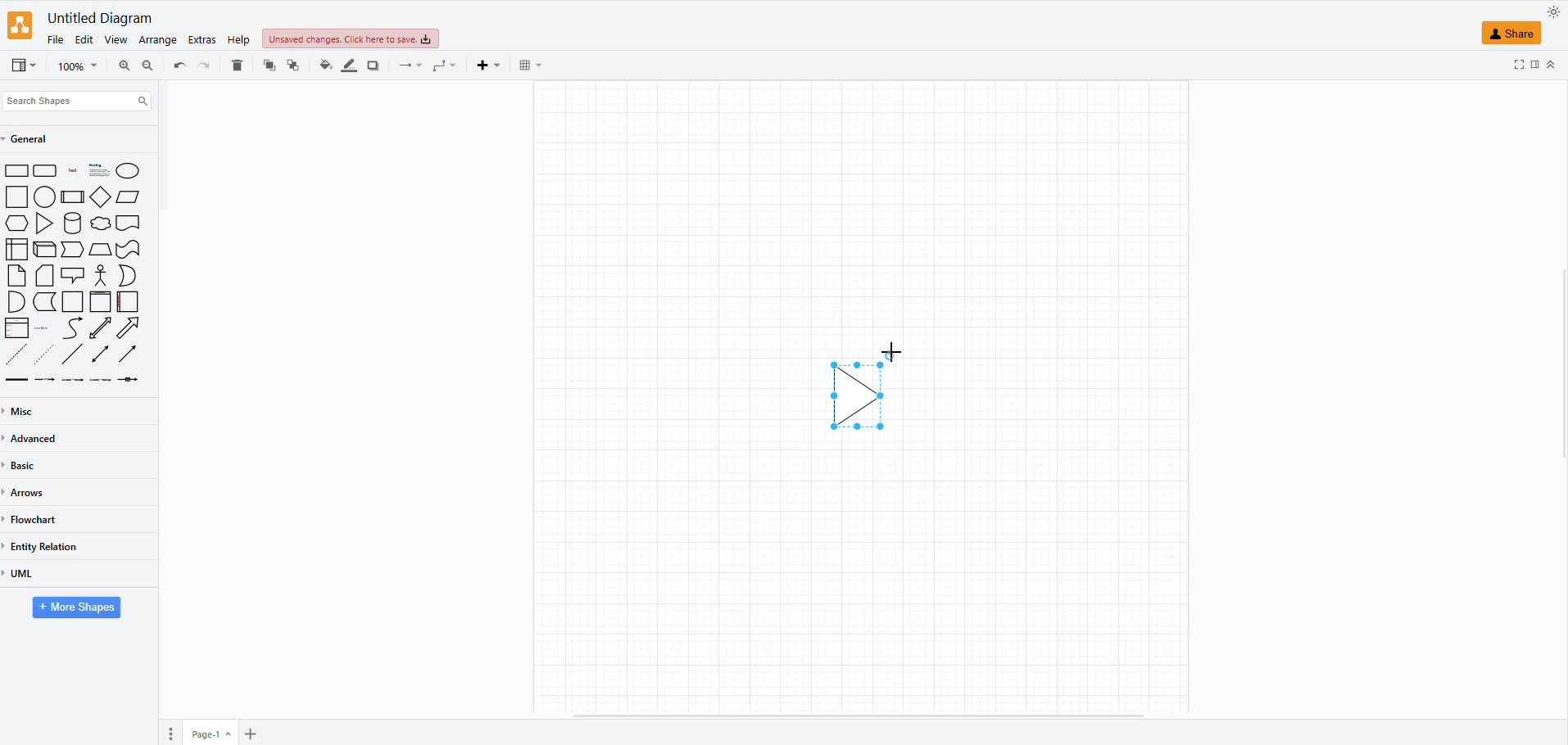 The width and height of the screenshot is (1568, 745). I want to click on Table, so click(16, 249).